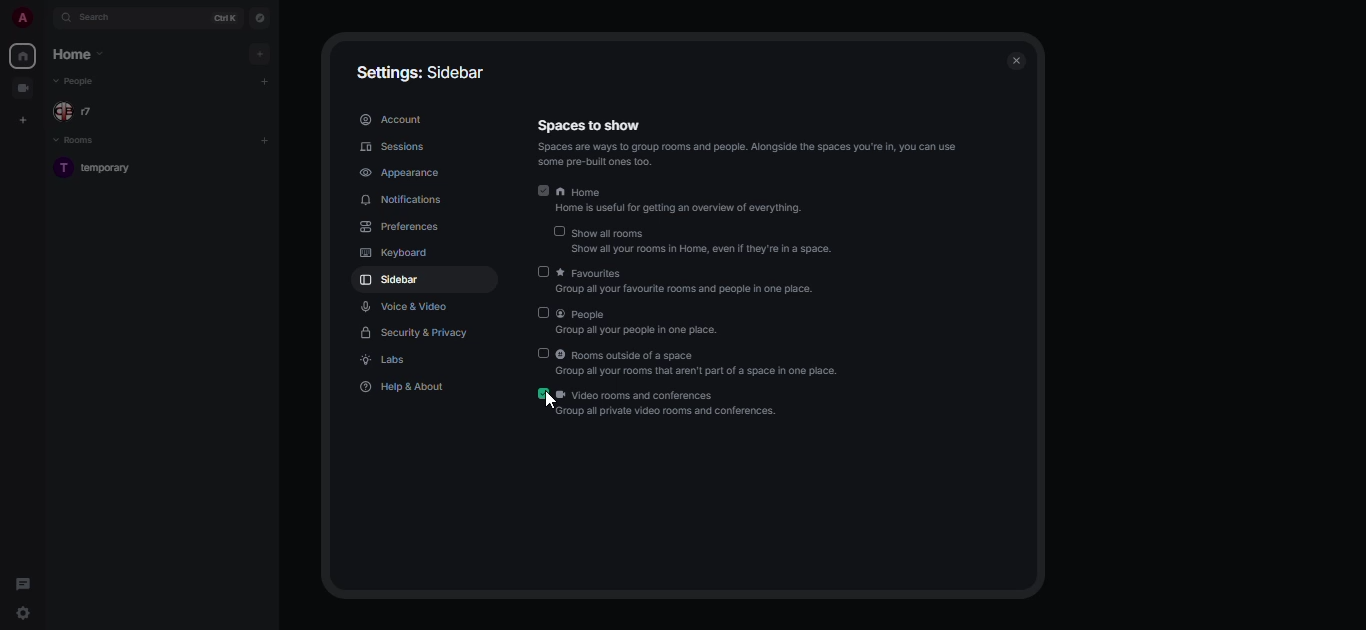 The width and height of the screenshot is (1366, 630). Describe the element at coordinates (542, 191) in the screenshot. I see `enabled` at that location.